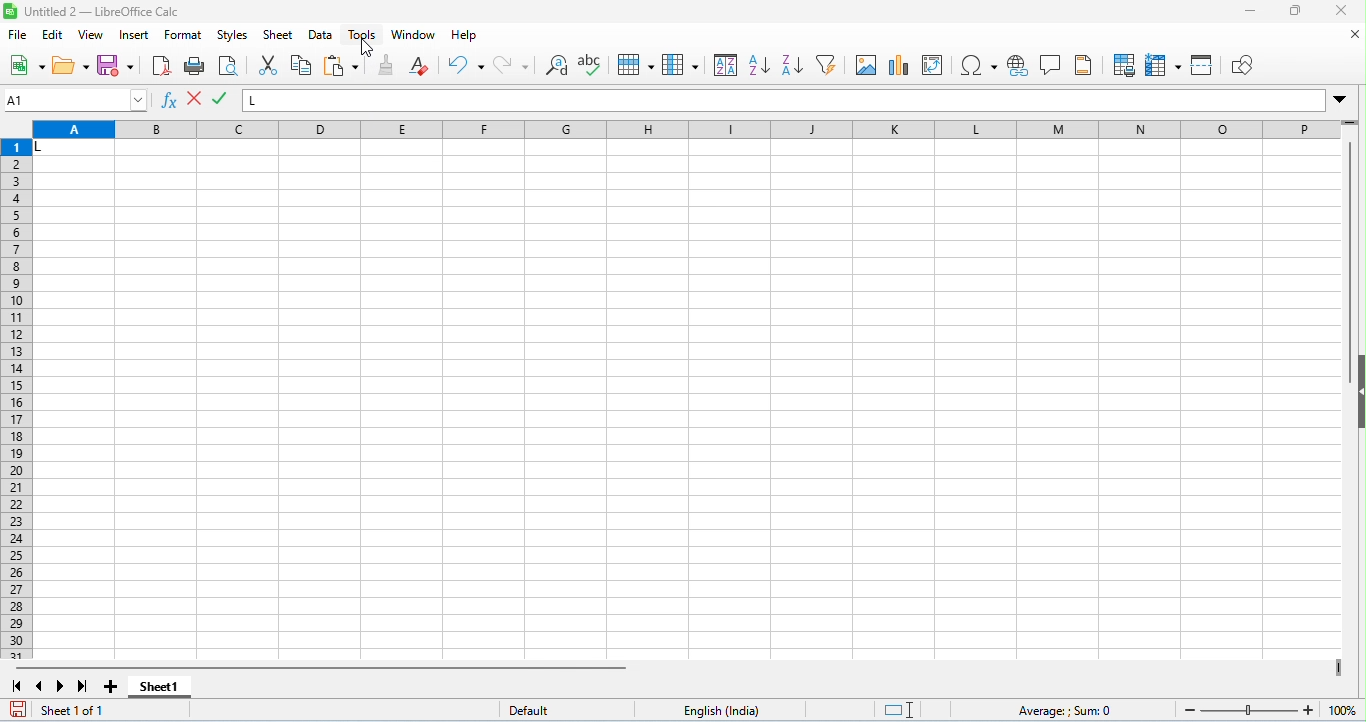  Describe the element at coordinates (17, 686) in the screenshot. I see `first sheet` at that location.